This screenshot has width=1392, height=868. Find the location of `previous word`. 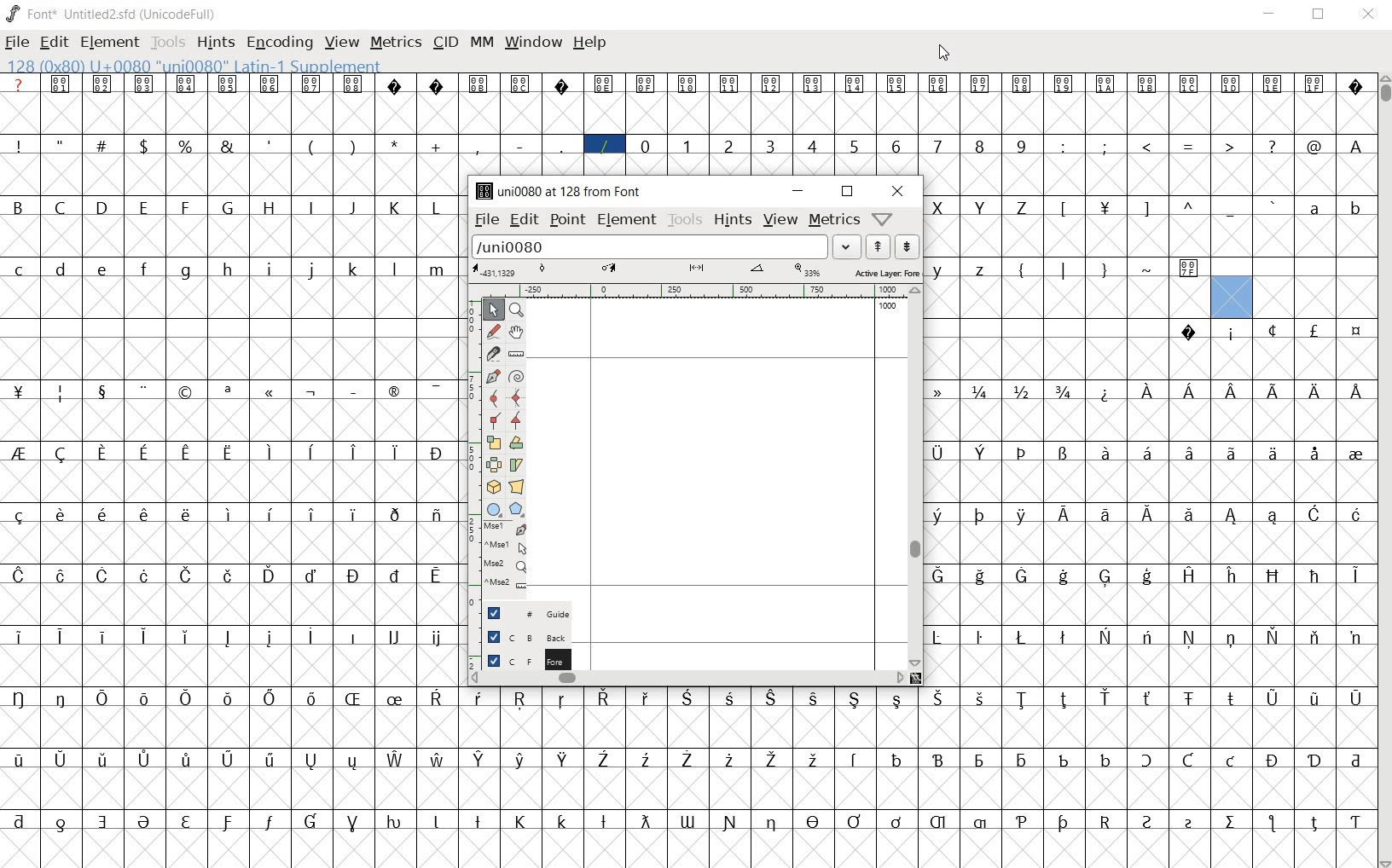

previous word is located at coordinates (879, 246).